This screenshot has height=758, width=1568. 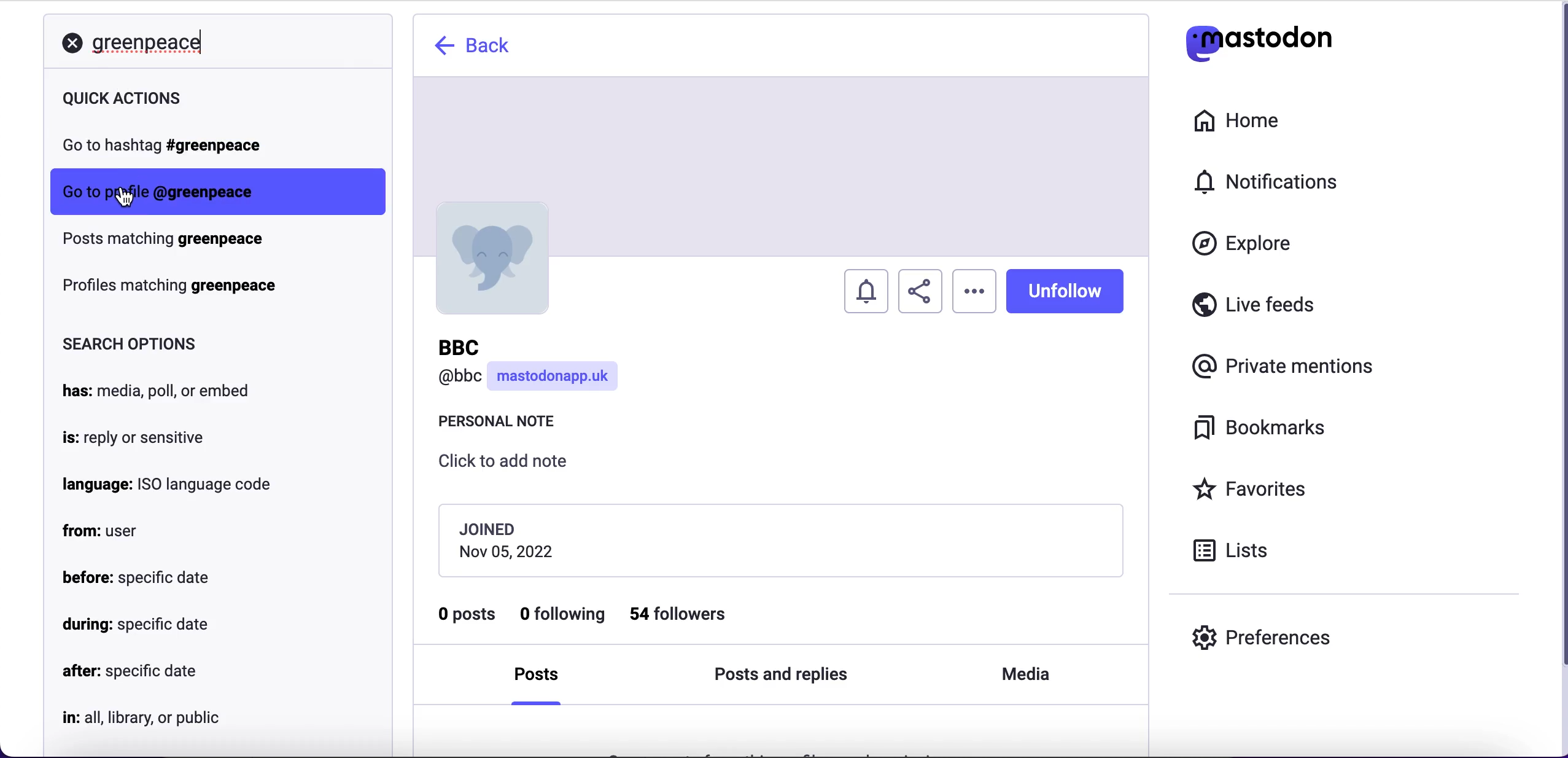 What do you see at coordinates (139, 625) in the screenshot?
I see `during: specific date` at bounding box center [139, 625].